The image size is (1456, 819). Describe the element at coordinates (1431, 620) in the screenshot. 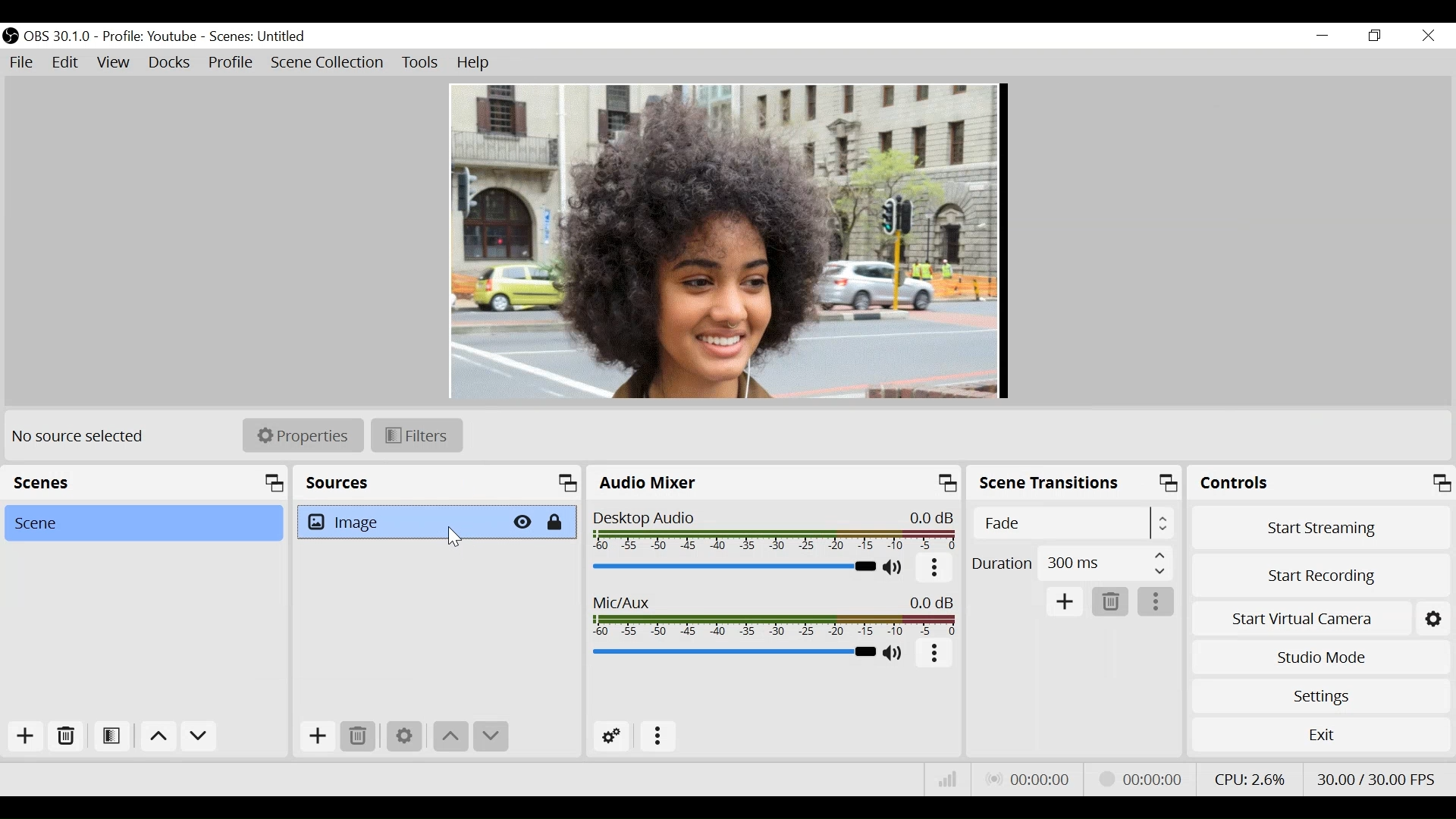

I see `Settings` at that location.